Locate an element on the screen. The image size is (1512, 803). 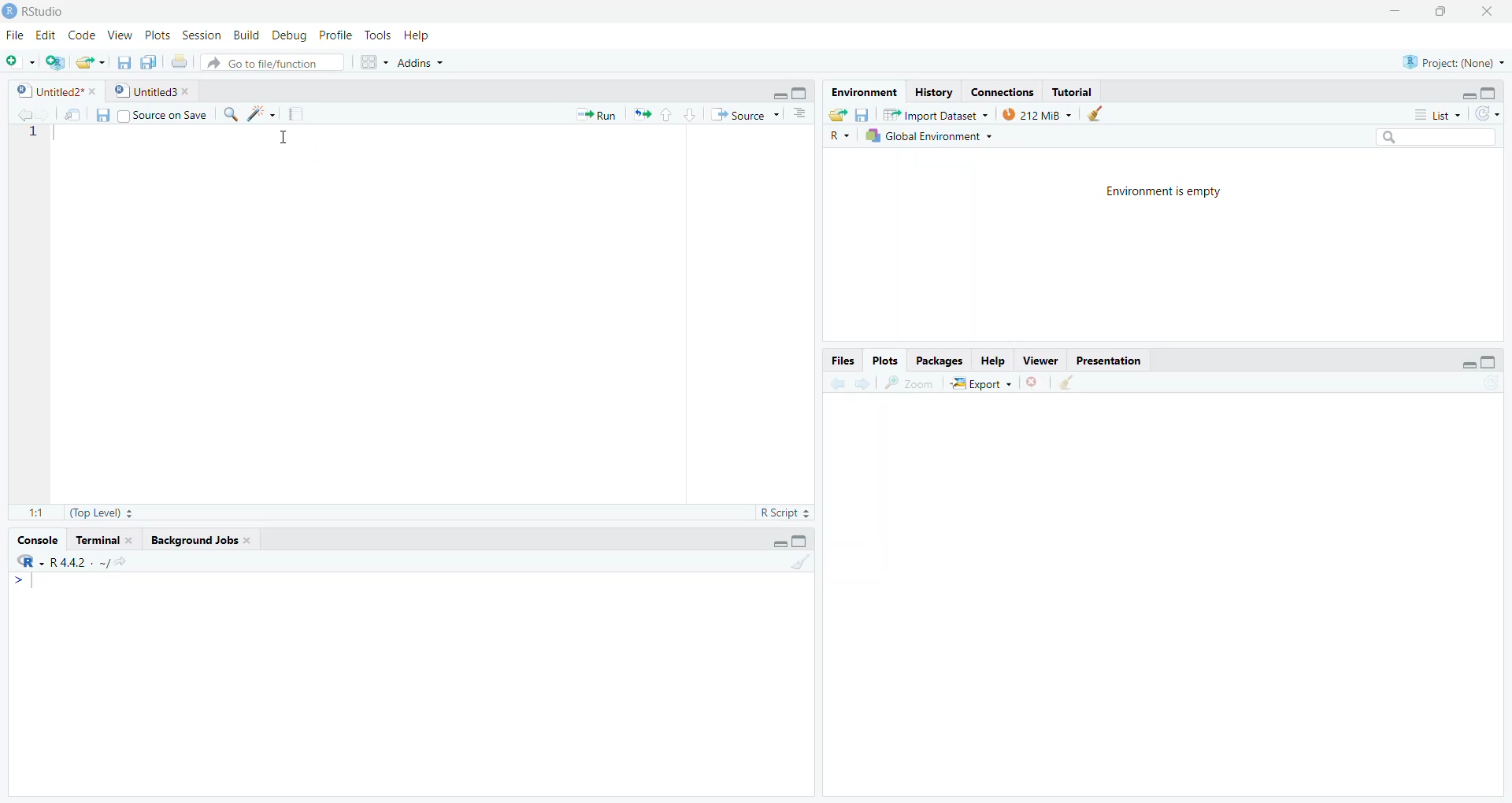
send file is located at coordinates (72, 114).